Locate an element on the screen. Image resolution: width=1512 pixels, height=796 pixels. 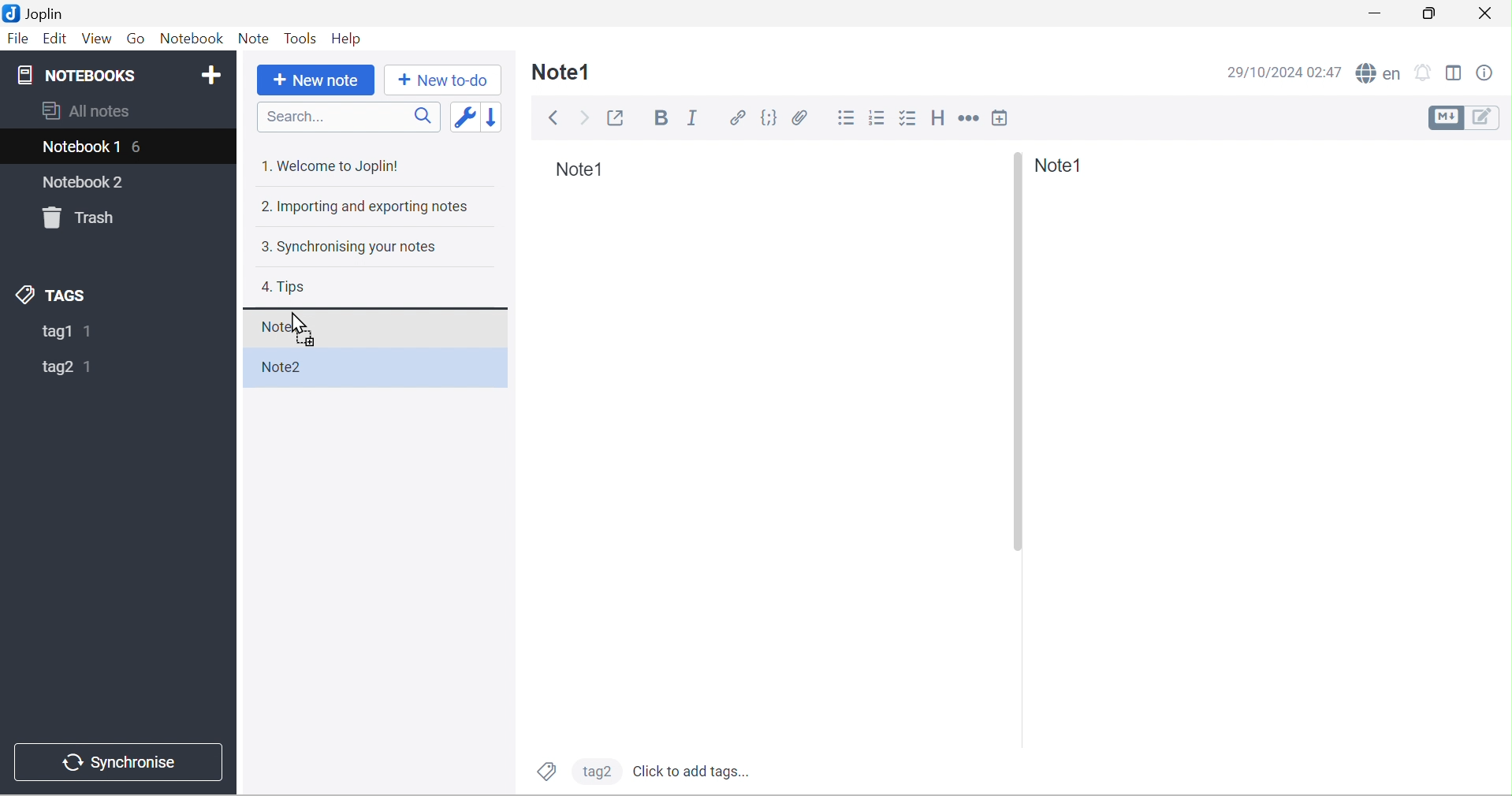
2. Importing and exporting notes is located at coordinates (363, 208).